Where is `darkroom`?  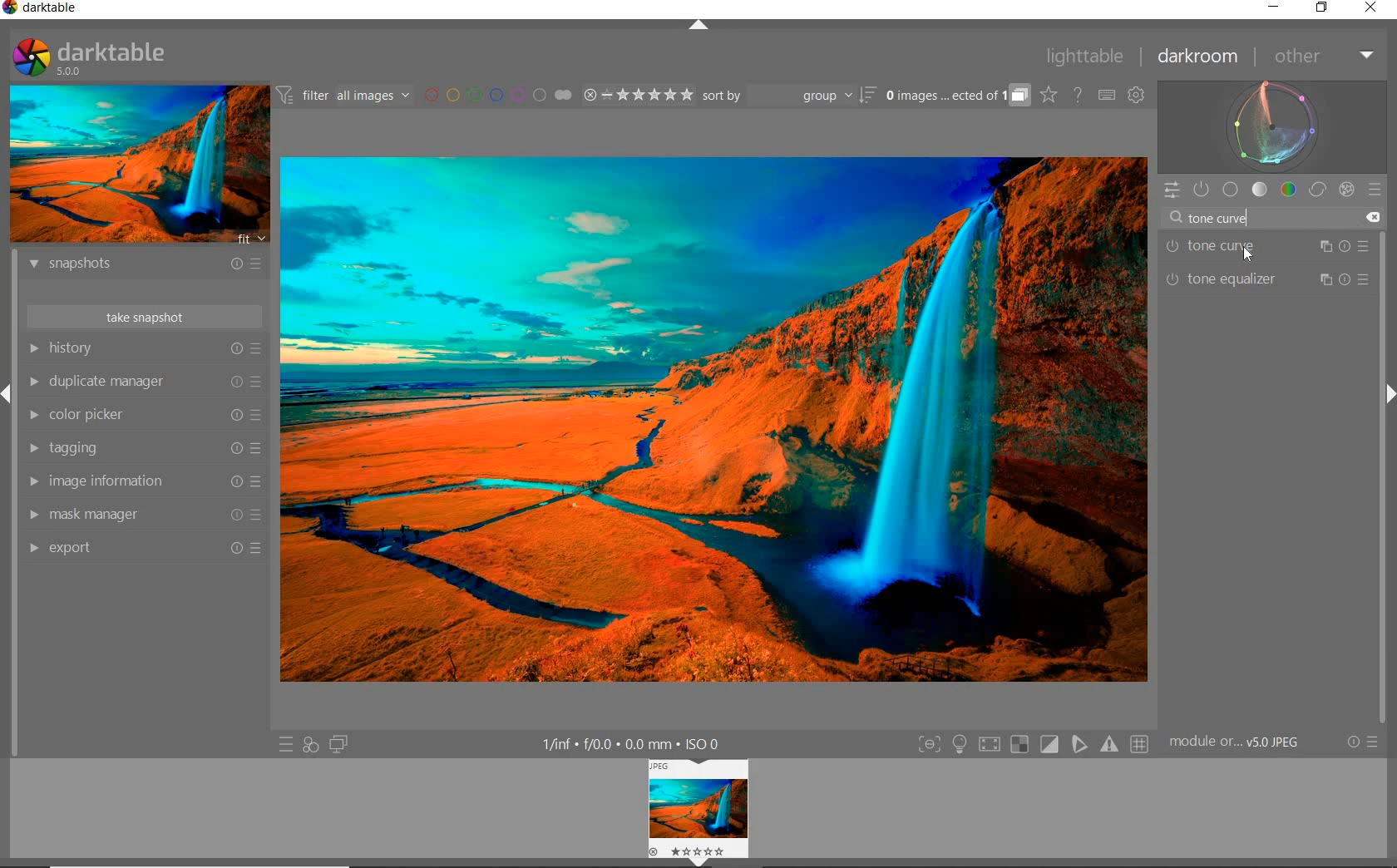 darkroom is located at coordinates (1198, 57).